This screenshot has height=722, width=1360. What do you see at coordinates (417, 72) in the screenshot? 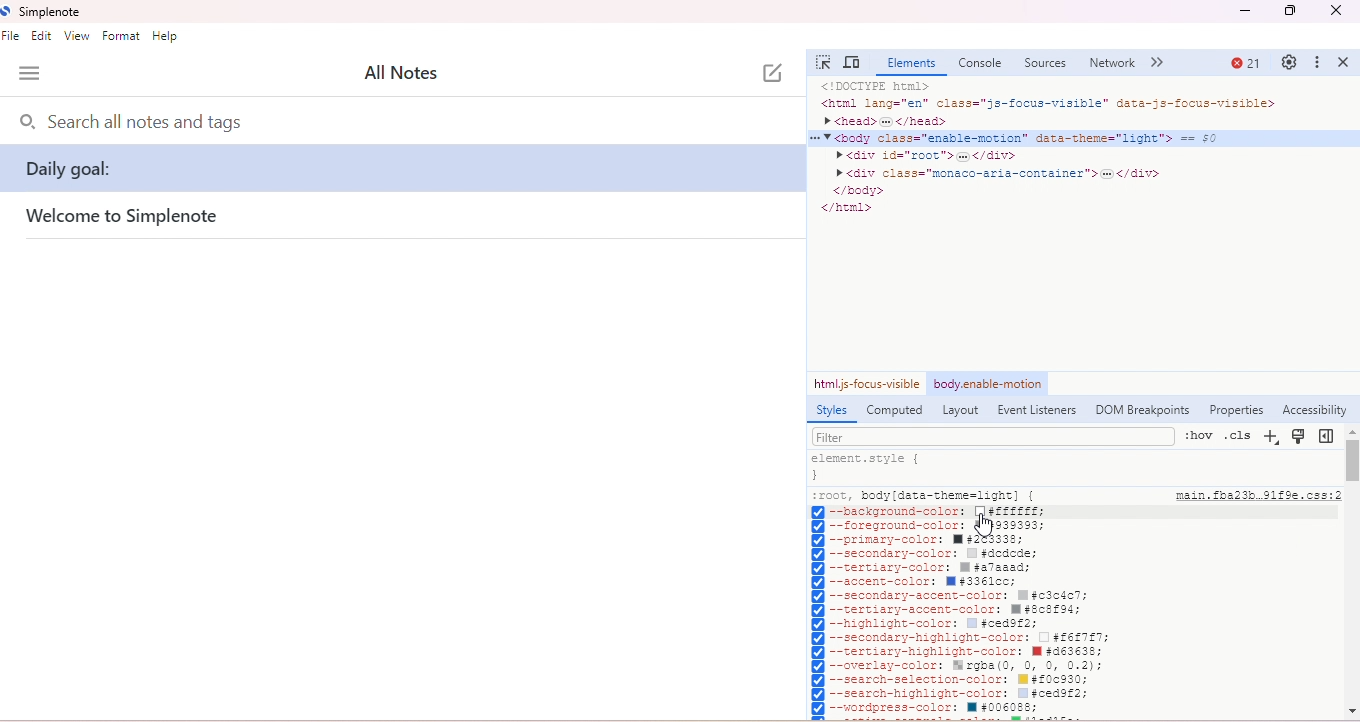
I see `all notes` at bounding box center [417, 72].